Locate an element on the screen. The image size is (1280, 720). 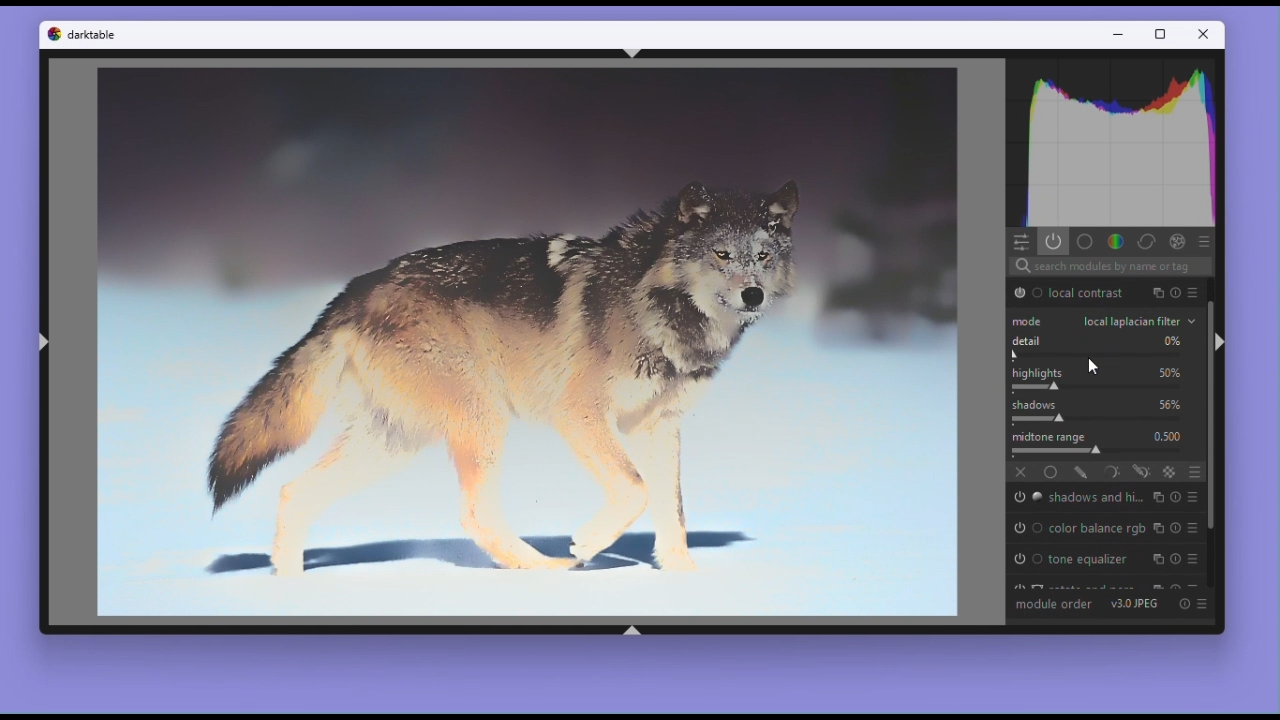
multiple instance actions is located at coordinates (1160, 528).